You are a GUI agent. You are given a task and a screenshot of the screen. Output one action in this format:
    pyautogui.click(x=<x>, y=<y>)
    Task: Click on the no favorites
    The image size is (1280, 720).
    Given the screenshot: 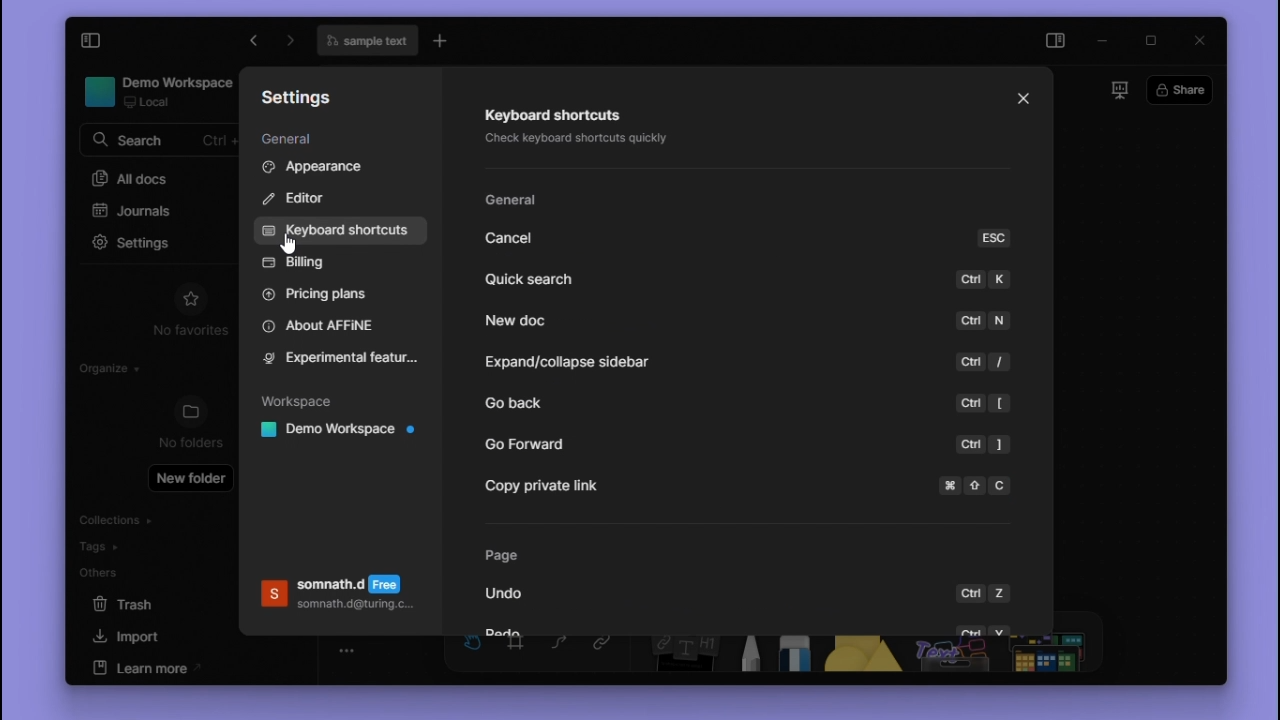 What is the action you would take?
    pyautogui.click(x=185, y=331)
    